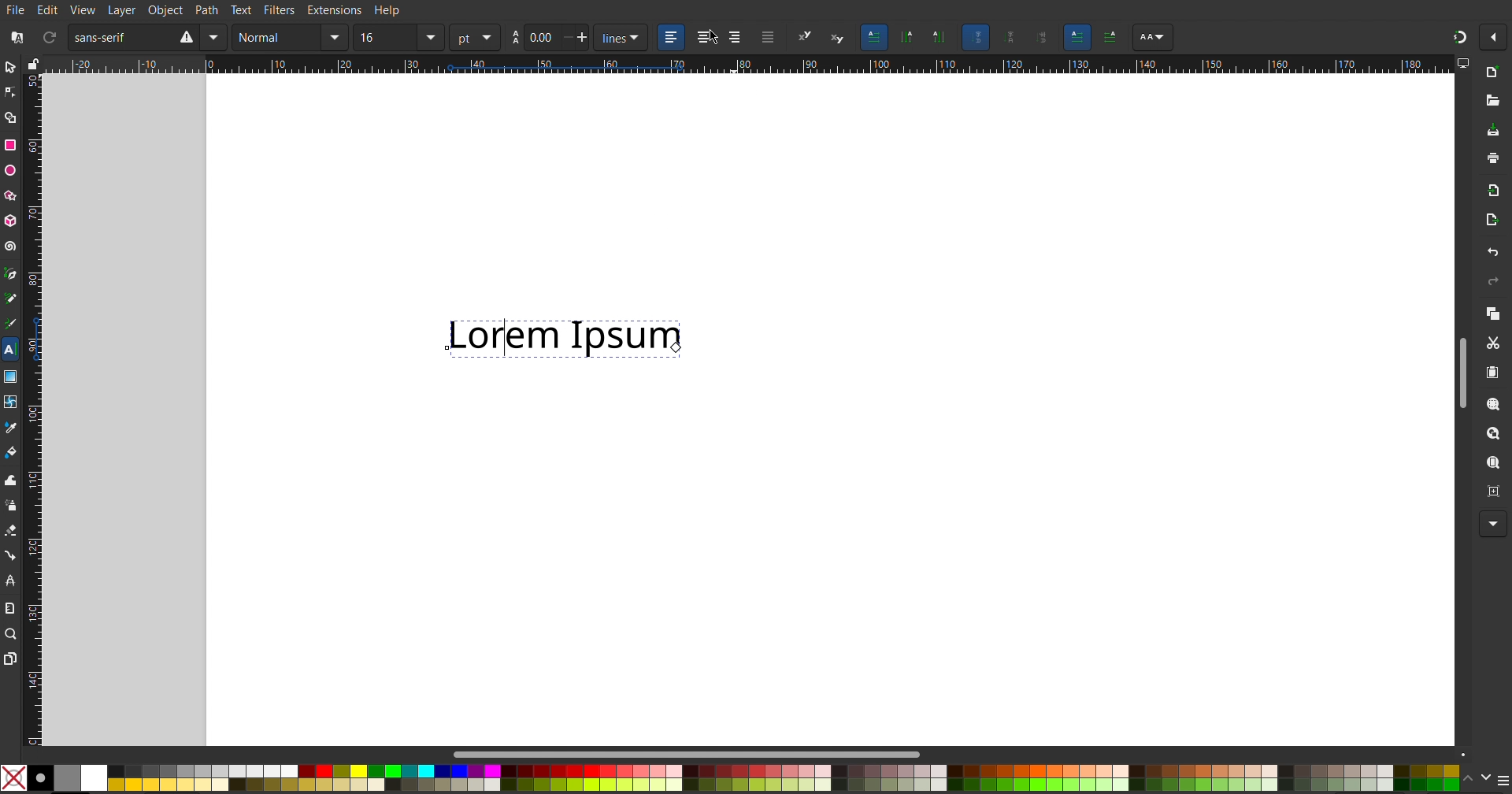 The width and height of the screenshot is (1512, 794). Describe the element at coordinates (1494, 191) in the screenshot. I see `Import BitMap` at that location.